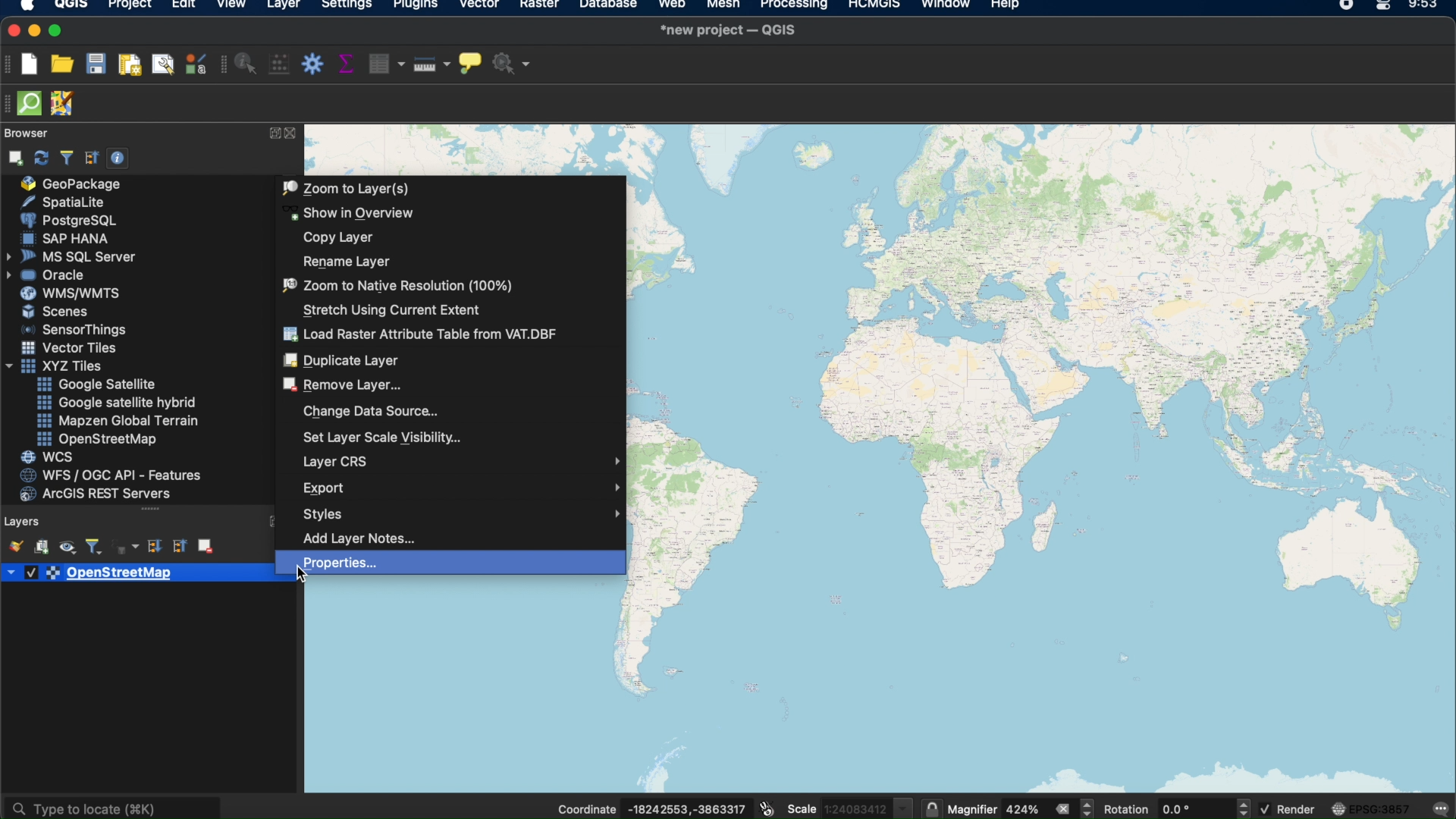  I want to click on current csr, so click(1372, 808).